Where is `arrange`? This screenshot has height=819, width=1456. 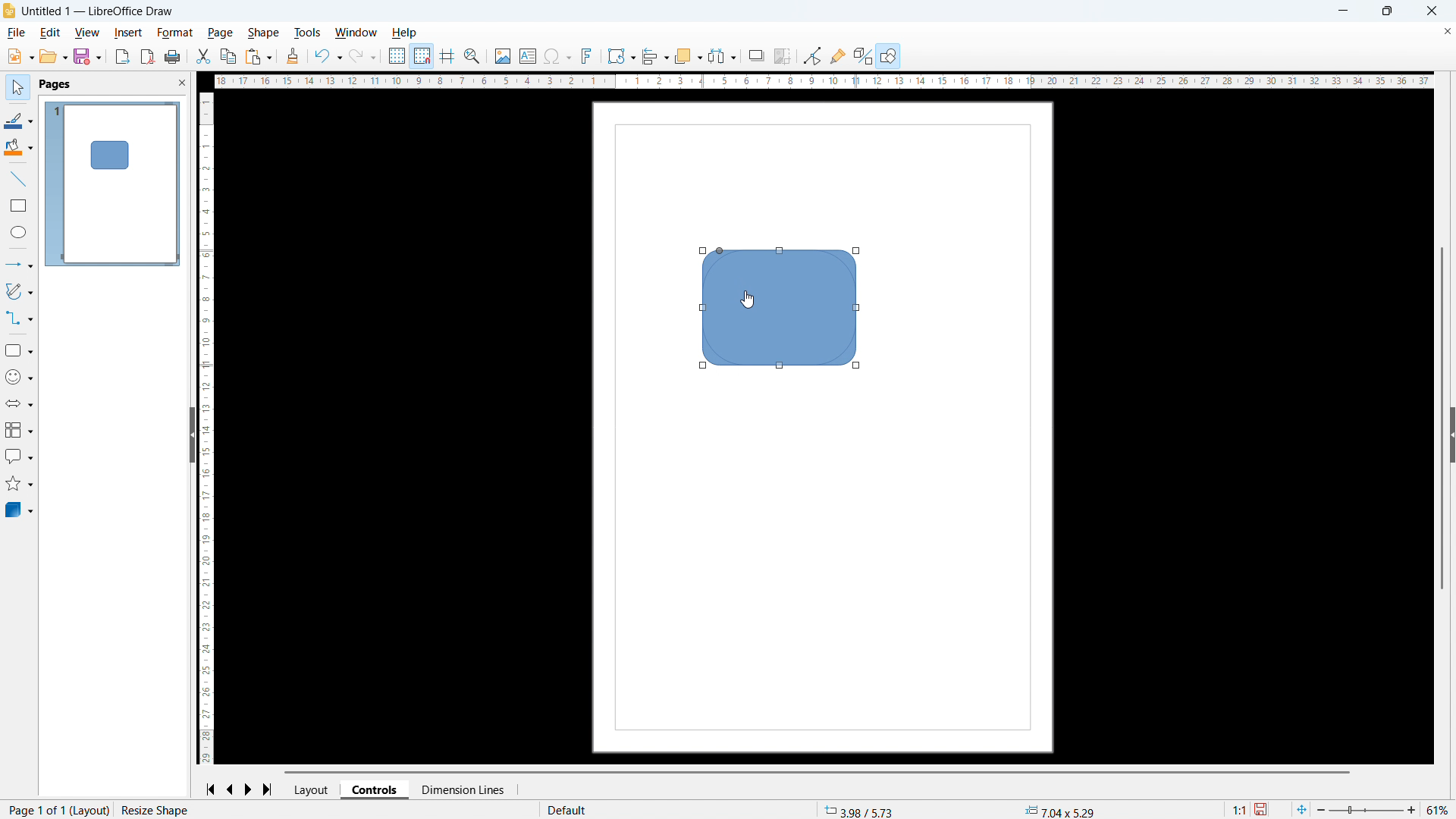
arrange is located at coordinates (687, 57).